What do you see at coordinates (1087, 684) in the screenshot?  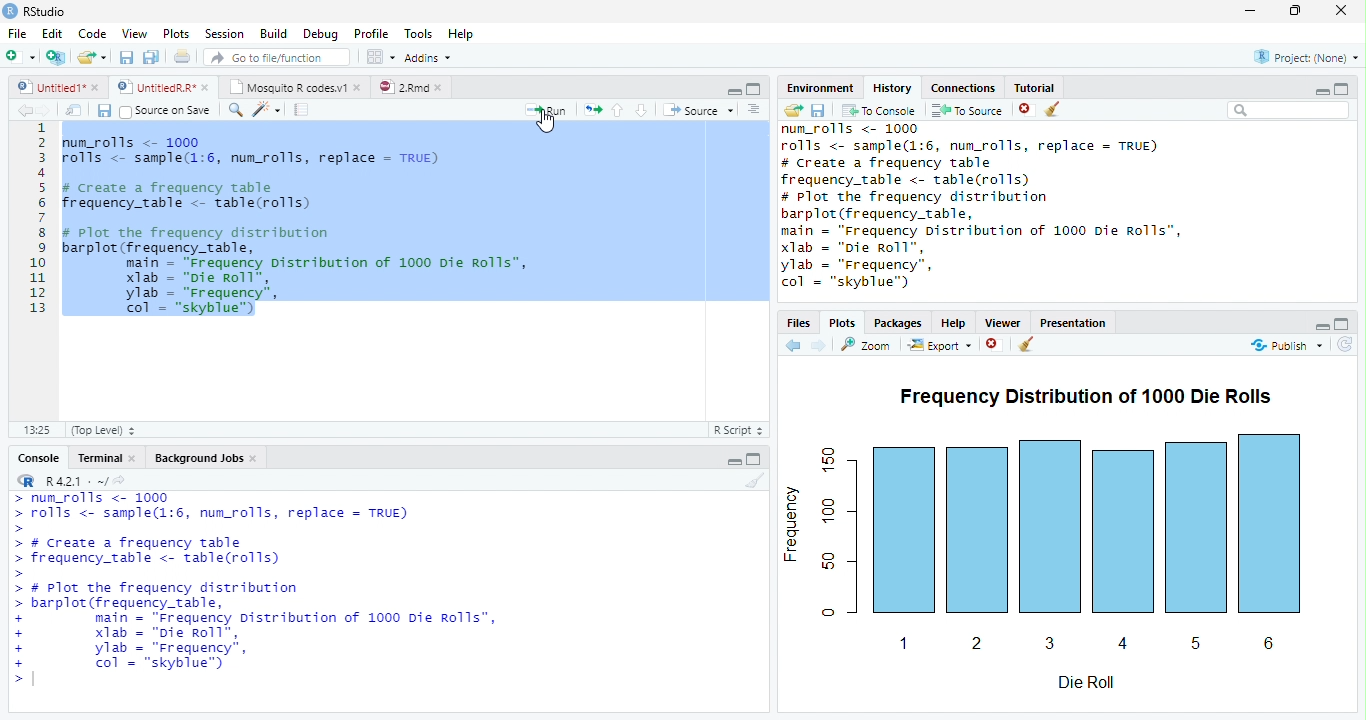 I see `Die Roll` at bounding box center [1087, 684].